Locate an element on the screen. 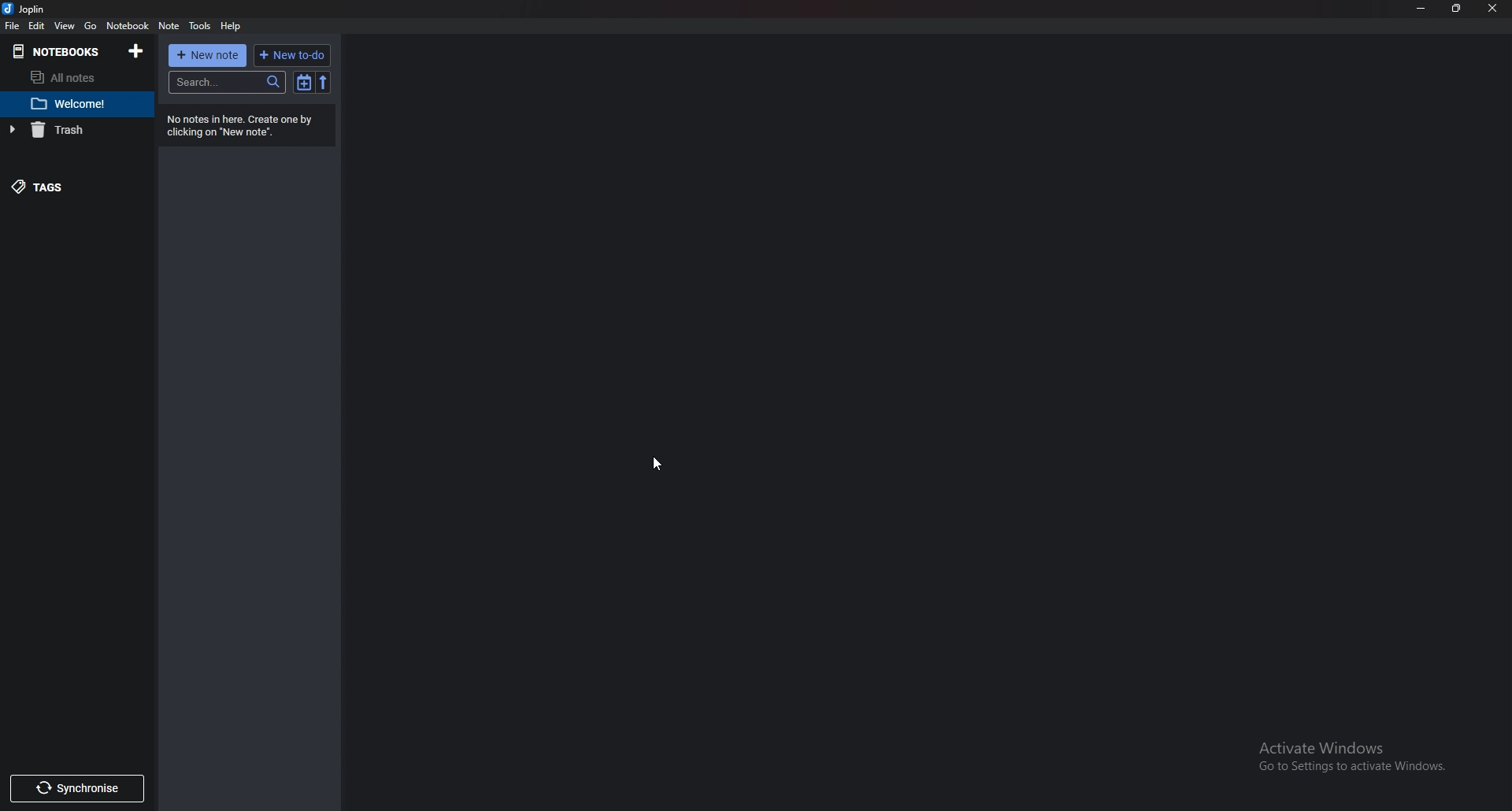  help is located at coordinates (231, 26).